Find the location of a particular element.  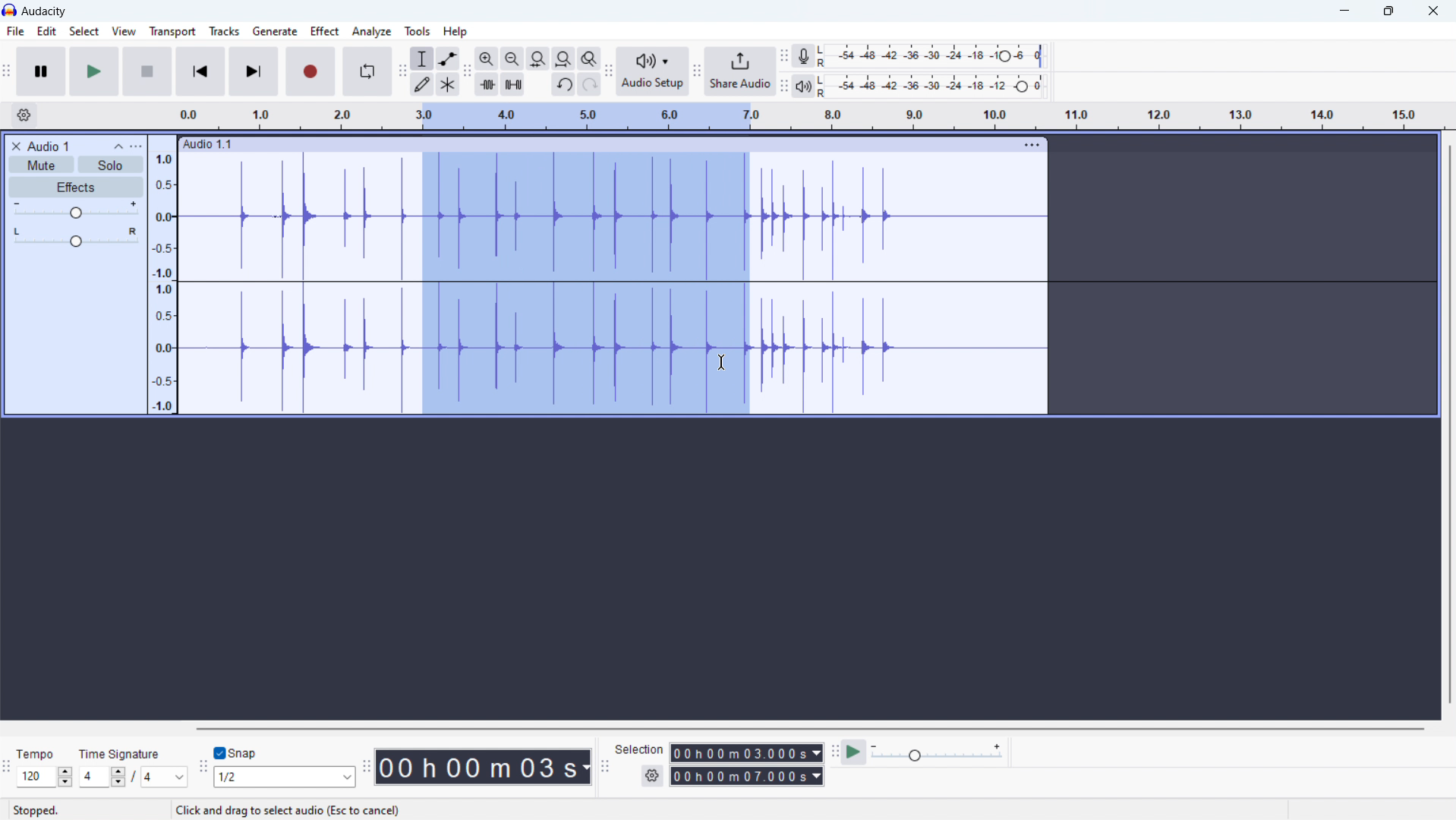

skip to start is located at coordinates (200, 71).